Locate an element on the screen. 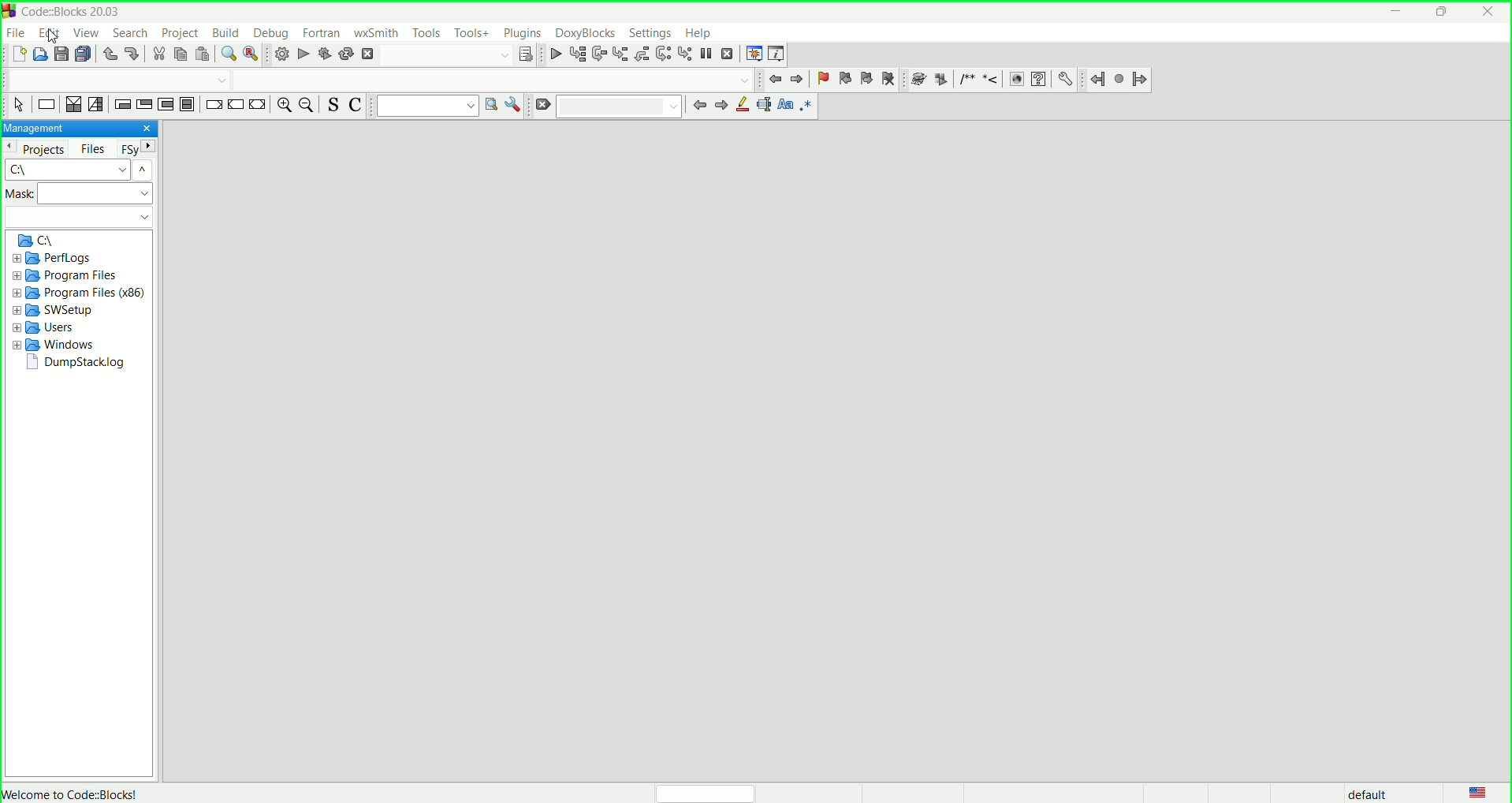 The width and height of the screenshot is (1512, 803). HTML help is located at coordinates (1037, 79).